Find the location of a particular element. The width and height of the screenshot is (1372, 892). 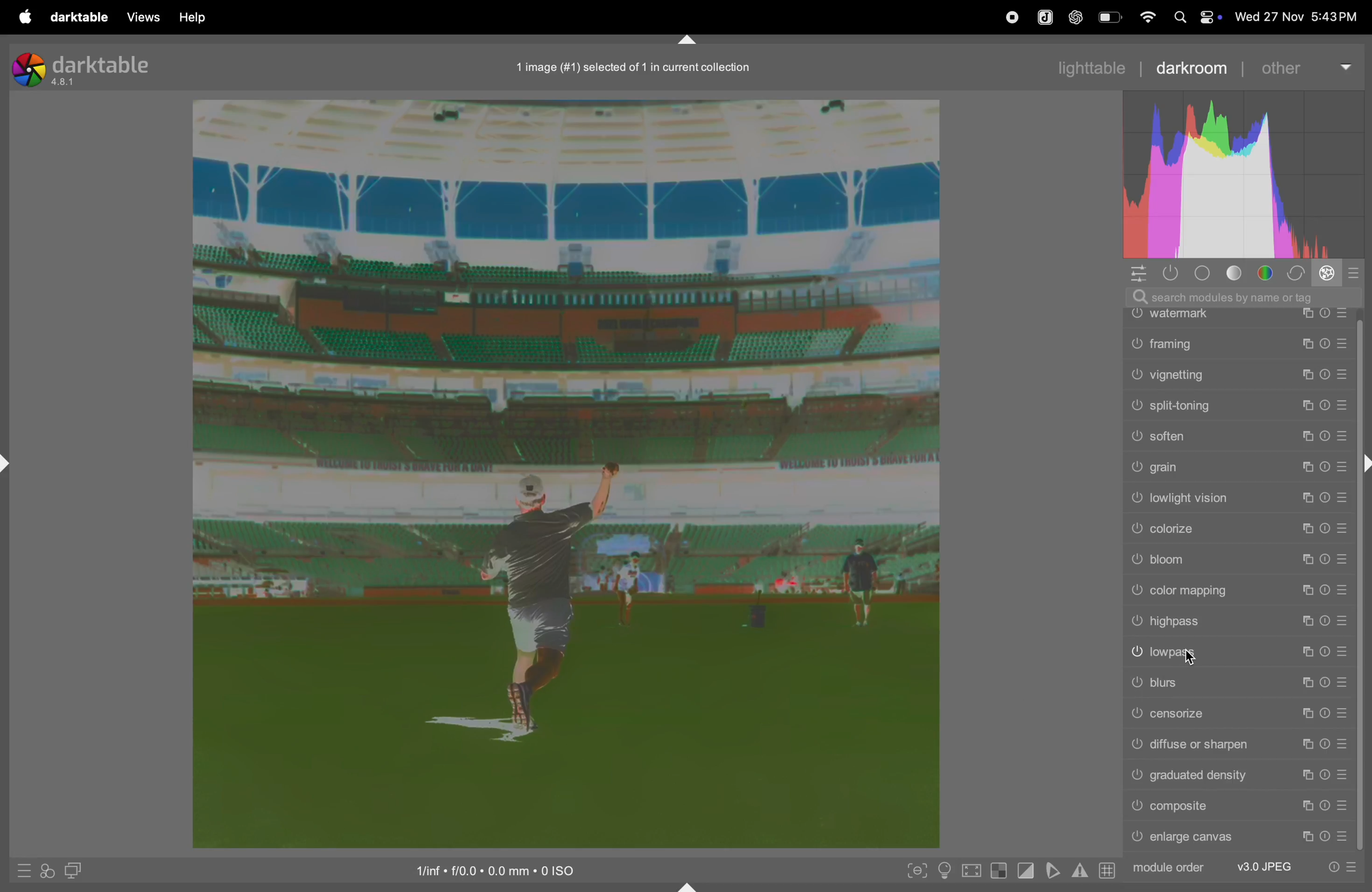

presets is located at coordinates (1355, 273).